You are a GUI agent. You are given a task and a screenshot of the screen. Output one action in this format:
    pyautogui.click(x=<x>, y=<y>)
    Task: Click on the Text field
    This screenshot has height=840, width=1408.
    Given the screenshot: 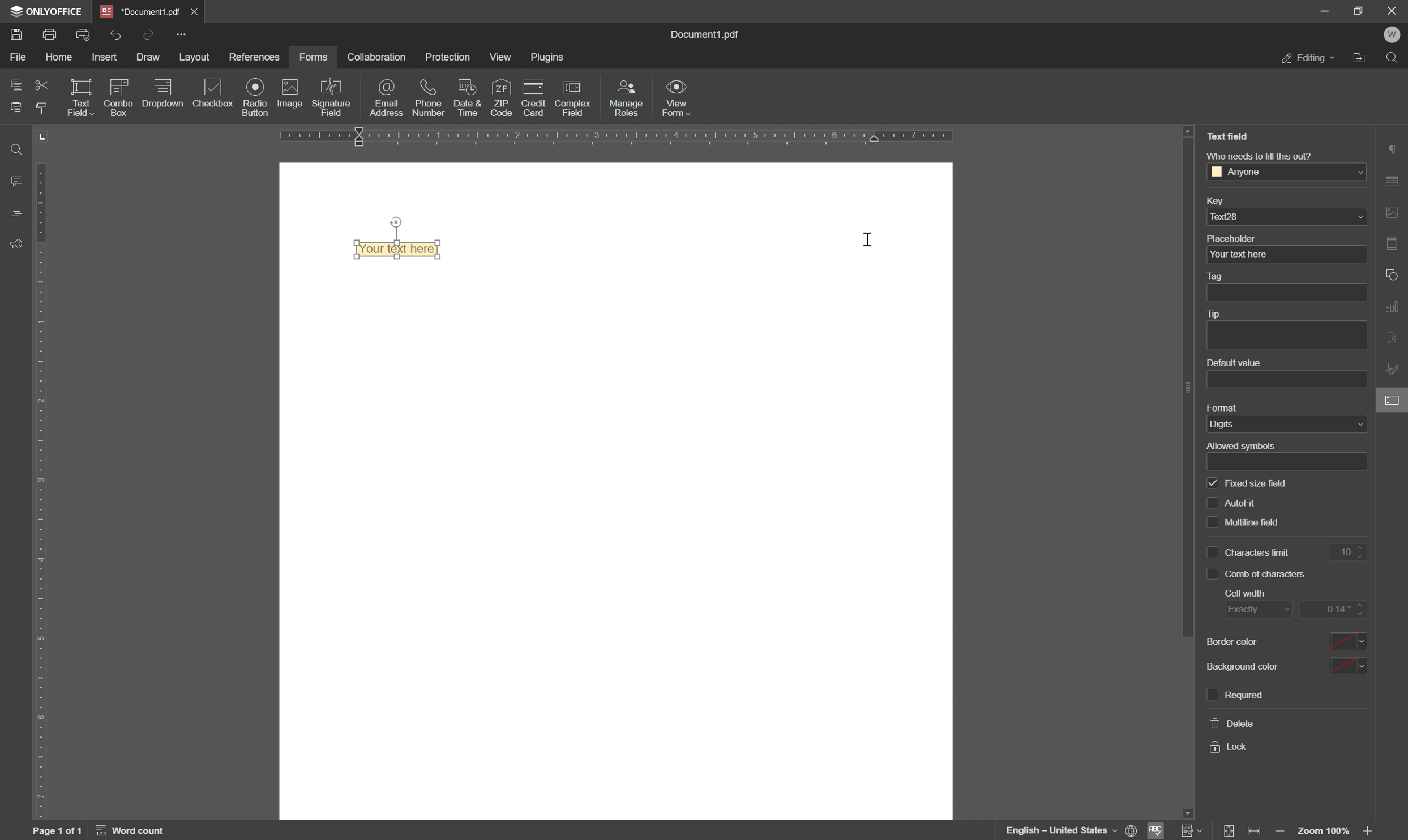 What is the action you would take?
    pyautogui.click(x=1233, y=135)
    